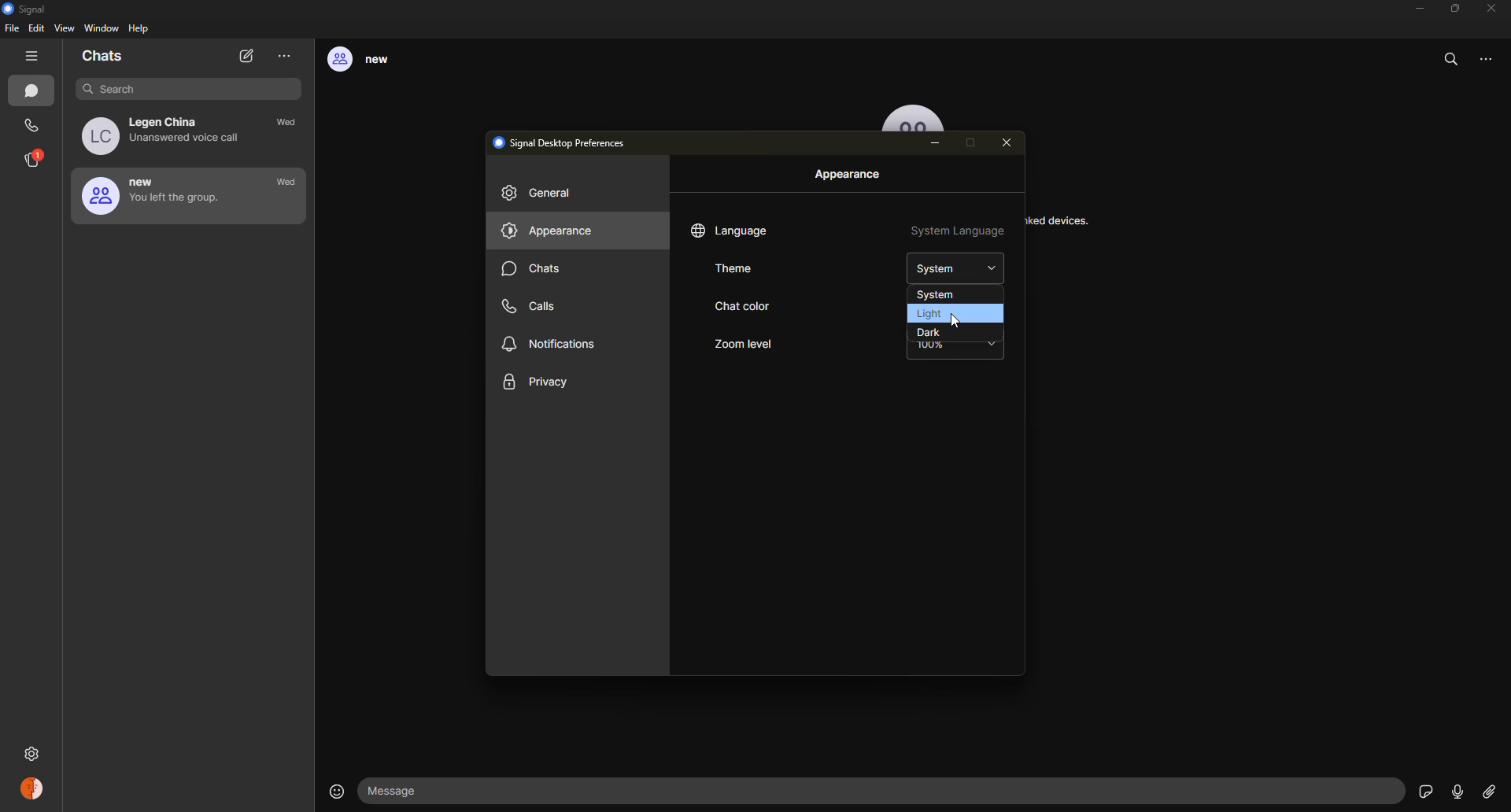  I want to click on minimize, so click(938, 145).